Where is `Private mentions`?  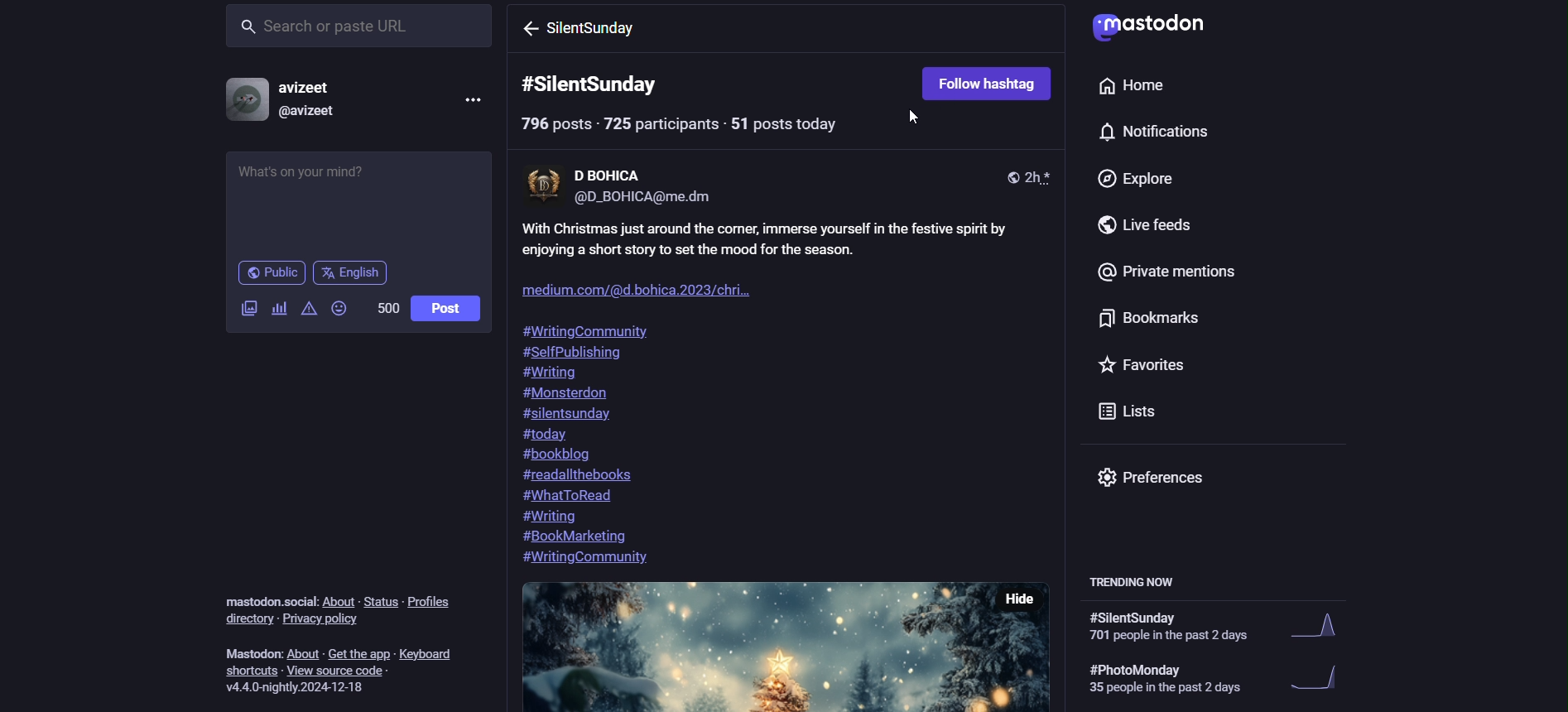 Private mentions is located at coordinates (1162, 277).